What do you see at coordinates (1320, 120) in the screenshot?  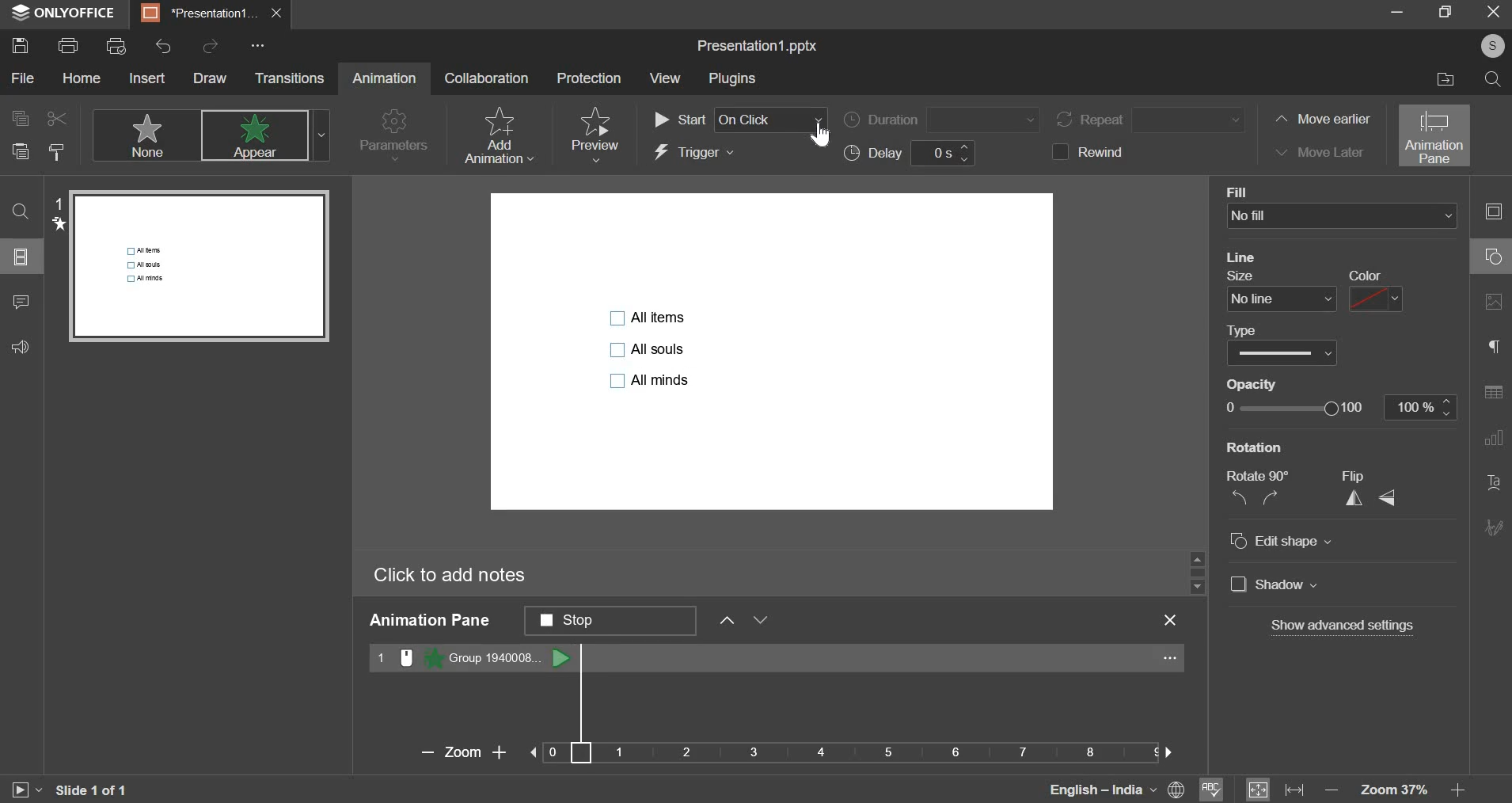 I see `move earlier` at bounding box center [1320, 120].